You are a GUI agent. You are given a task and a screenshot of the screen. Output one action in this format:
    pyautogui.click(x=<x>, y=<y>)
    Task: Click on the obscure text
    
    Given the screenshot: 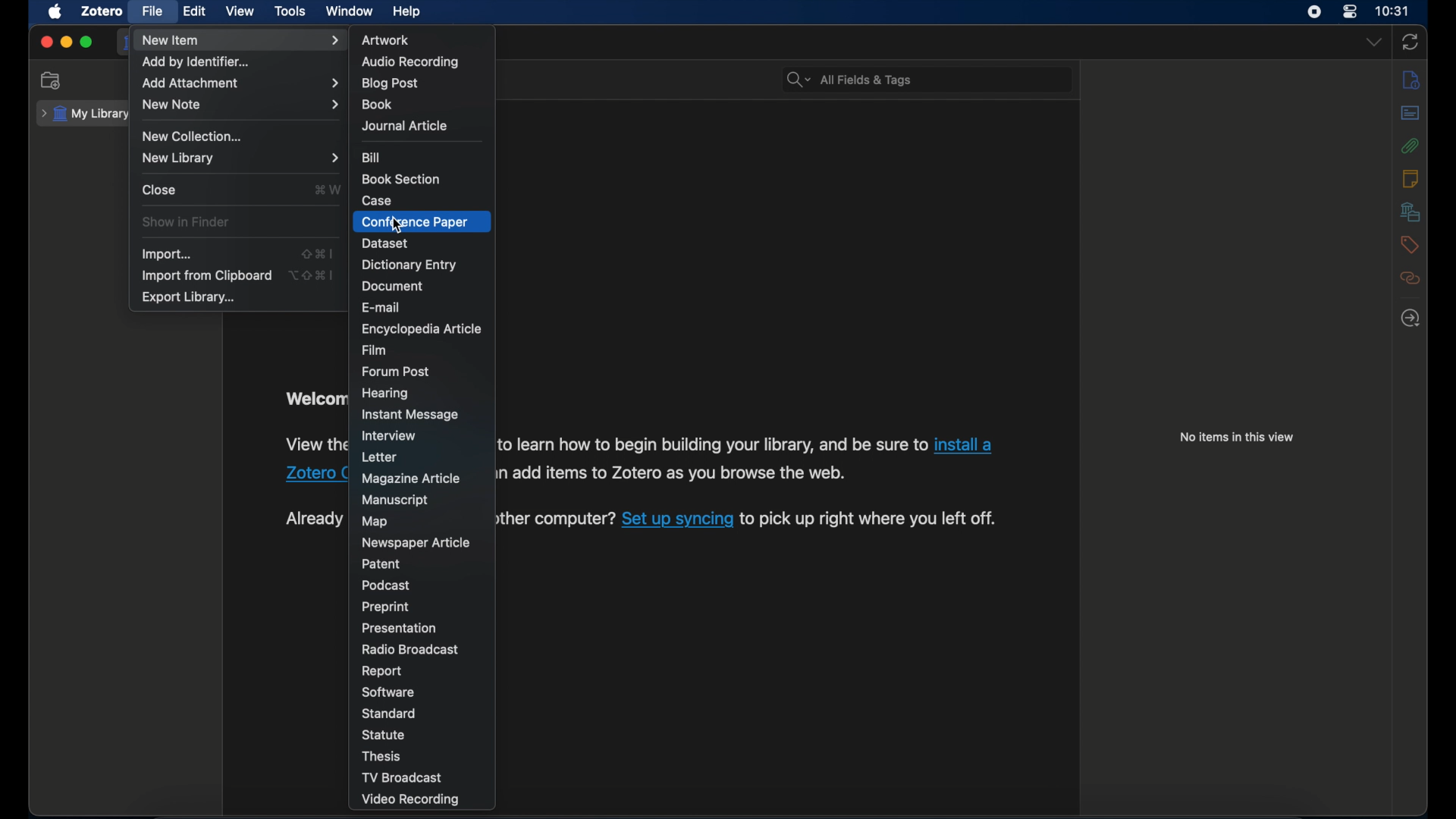 What is the action you would take?
    pyautogui.click(x=315, y=399)
    